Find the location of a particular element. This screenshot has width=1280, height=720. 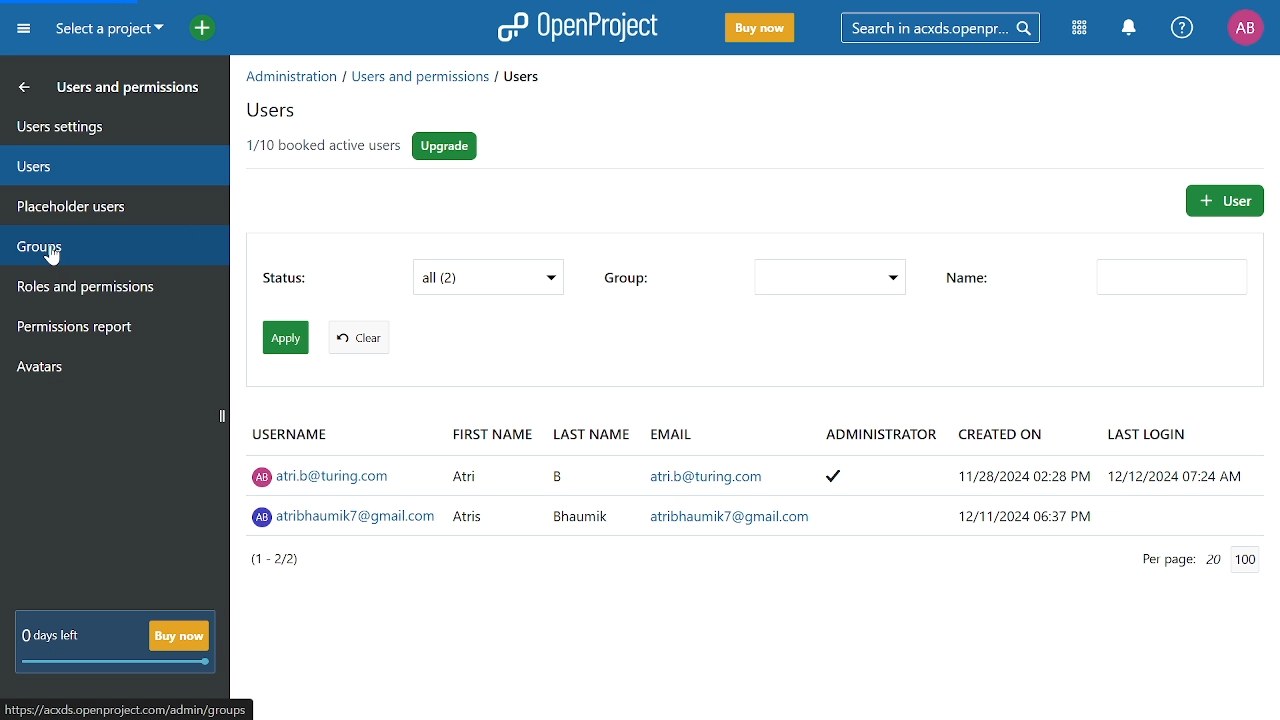

Modules is located at coordinates (1081, 27).